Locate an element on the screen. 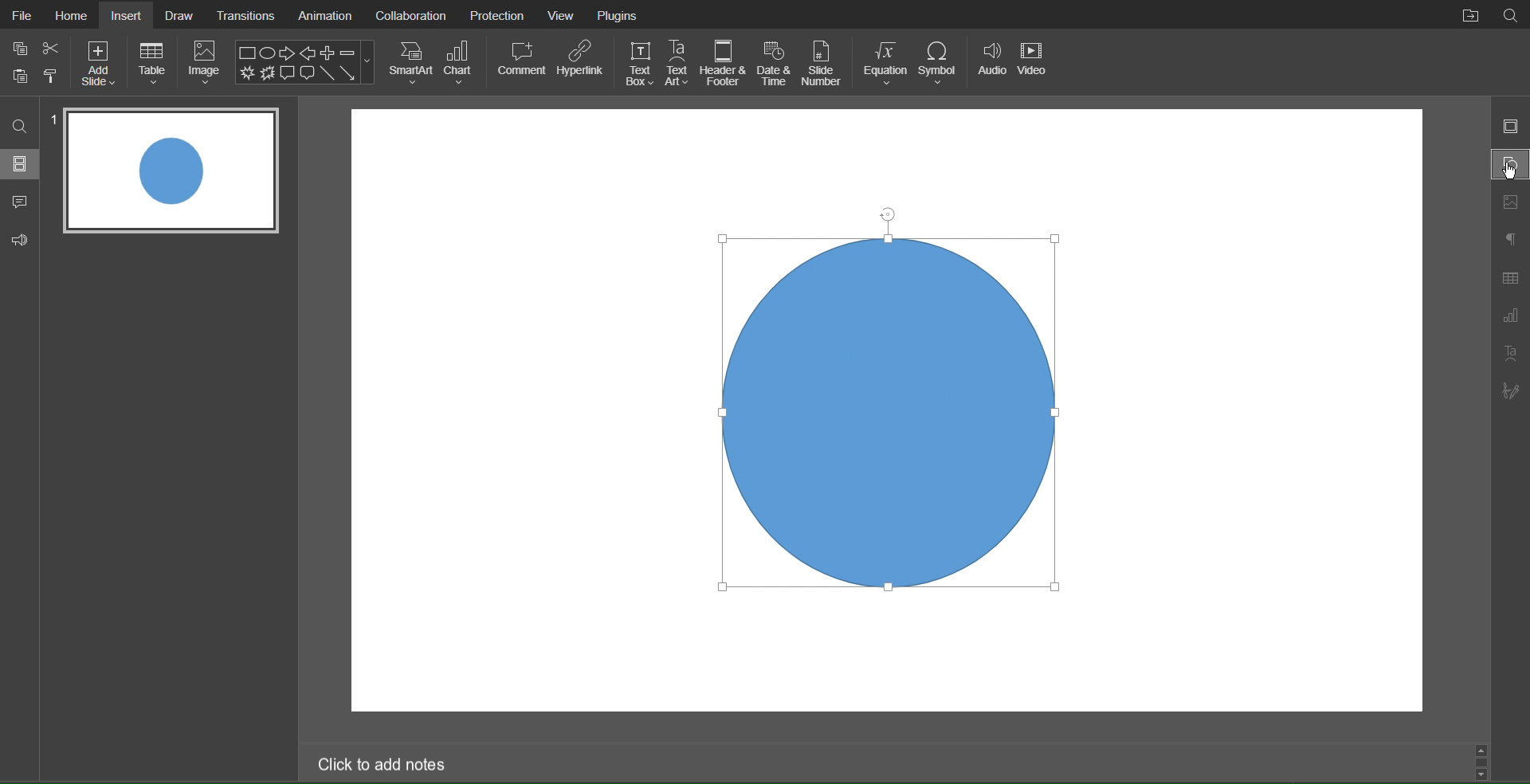 This screenshot has height=784, width=1530. Image Settings is located at coordinates (1508, 202).